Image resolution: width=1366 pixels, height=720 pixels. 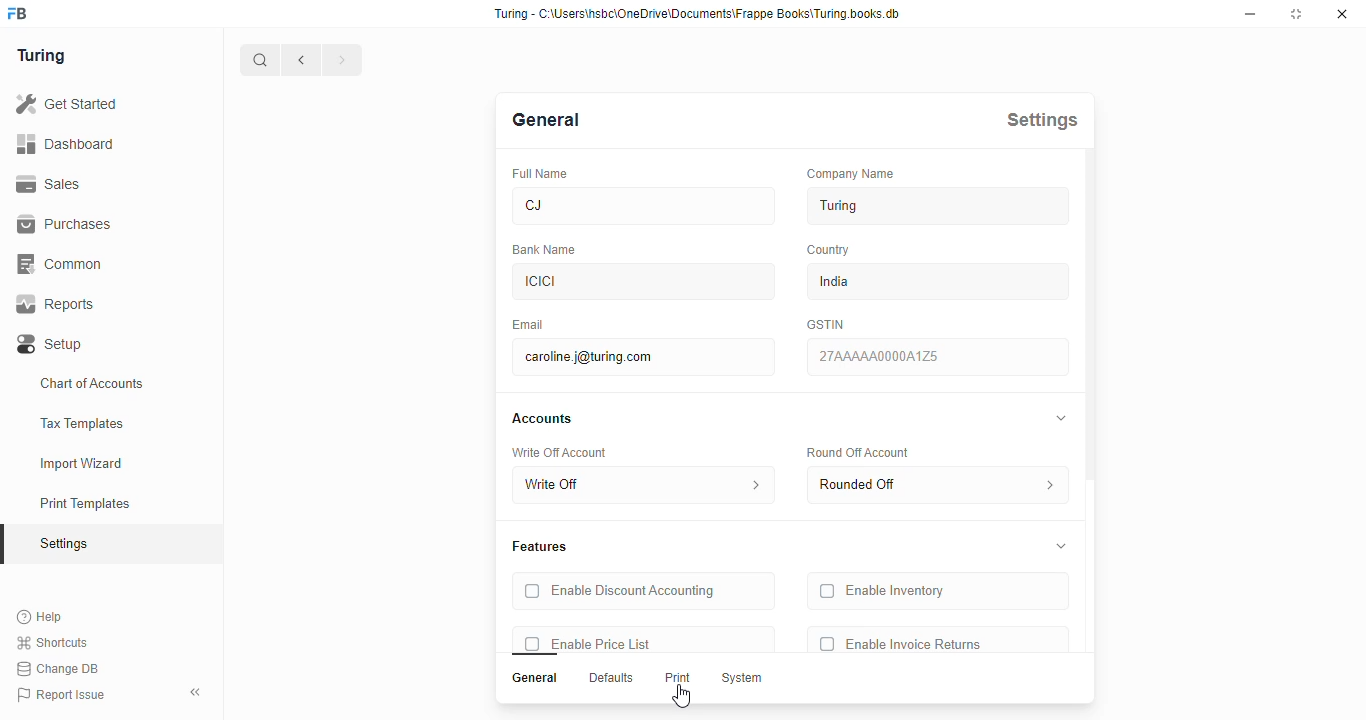 I want to click on Country, so click(x=828, y=249).